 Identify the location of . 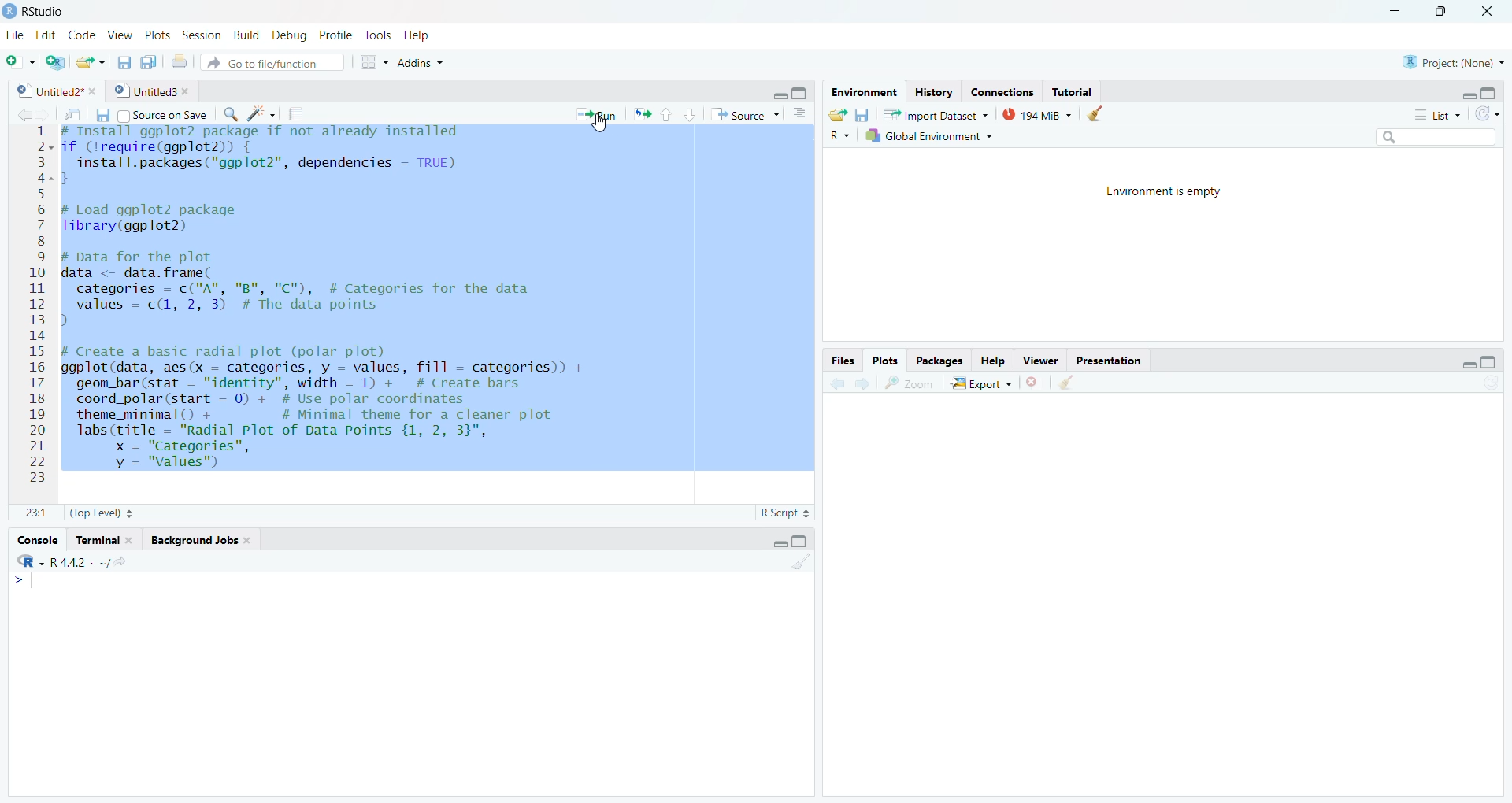
(839, 136).